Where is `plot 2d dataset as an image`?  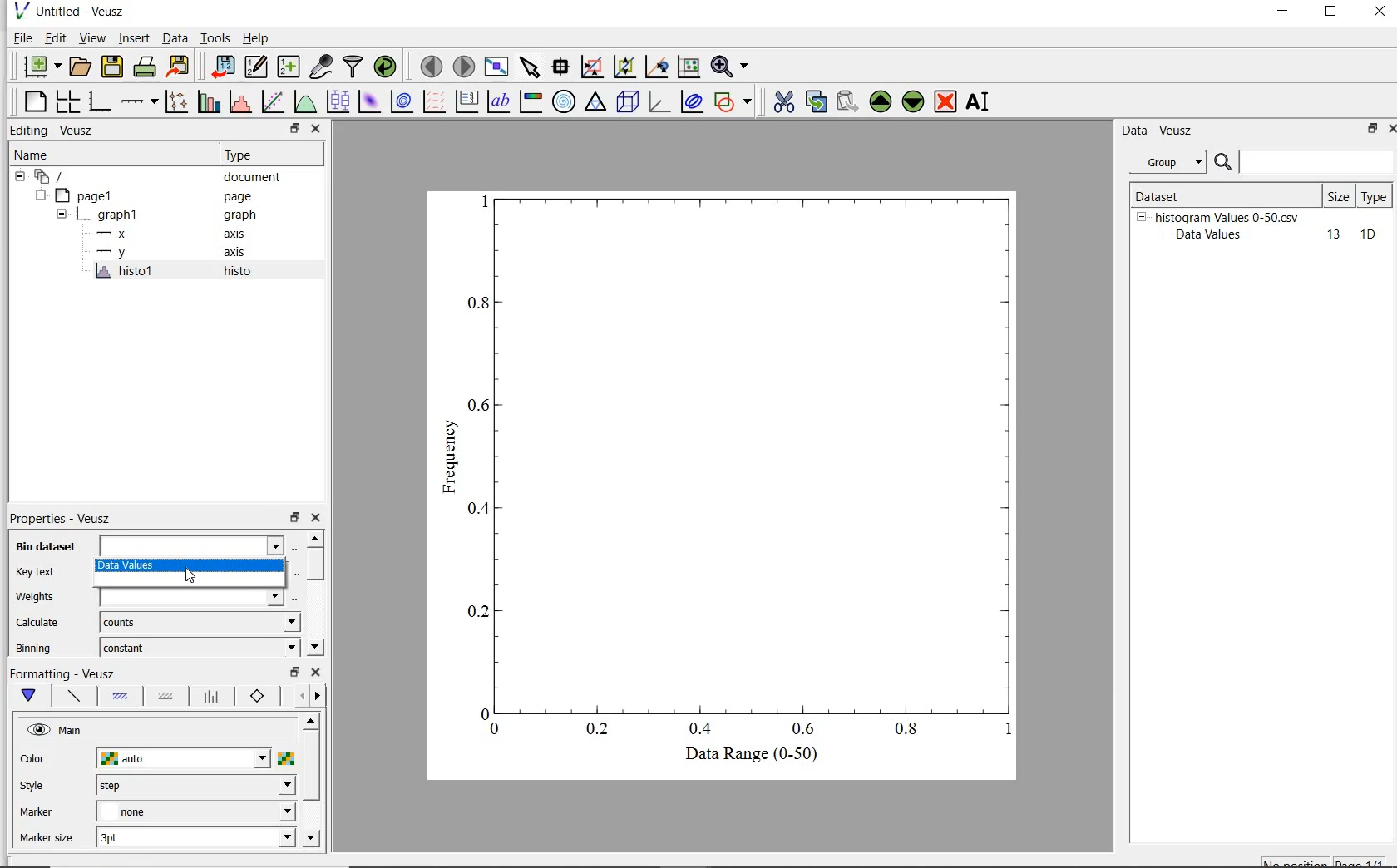 plot 2d dataset as an image is located at coordinates (369, 101).